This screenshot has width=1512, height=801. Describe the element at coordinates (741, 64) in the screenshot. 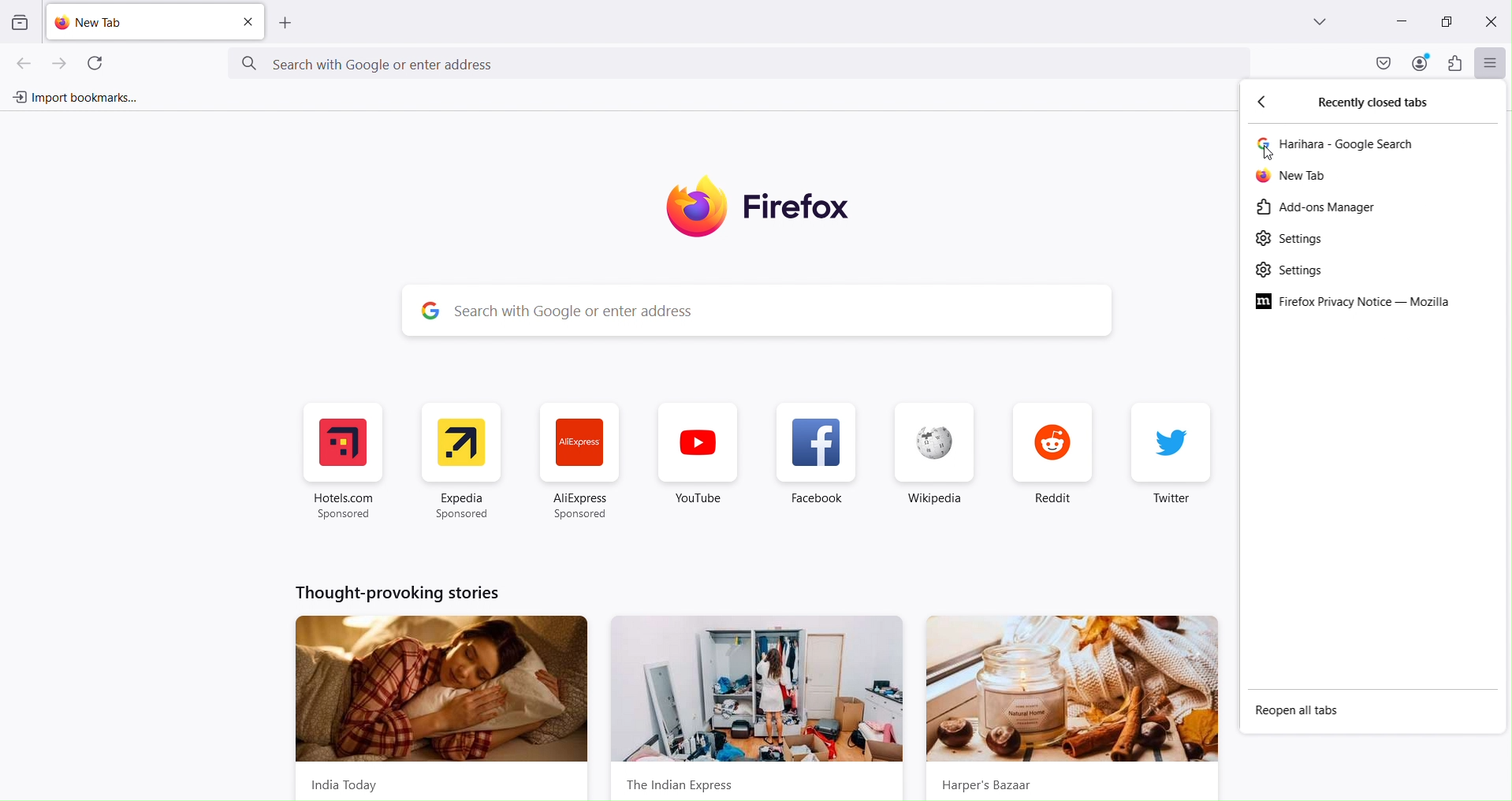

I see `Search google new address` at that location.